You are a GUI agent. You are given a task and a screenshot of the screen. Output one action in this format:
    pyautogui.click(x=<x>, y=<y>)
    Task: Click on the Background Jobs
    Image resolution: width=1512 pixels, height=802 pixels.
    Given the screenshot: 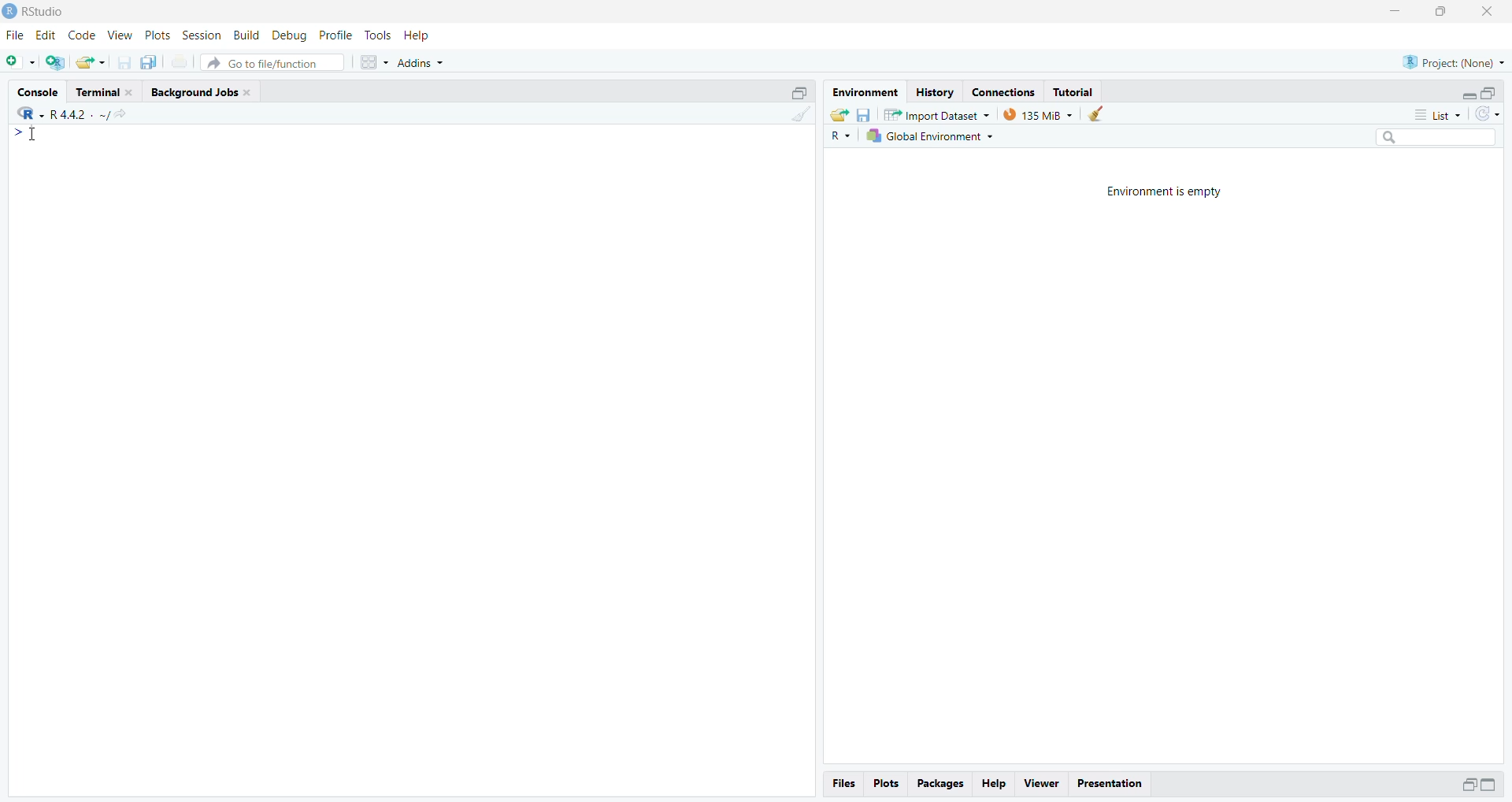 What is the action you would take?
    pyautogui.click(x=204, y=92)
    